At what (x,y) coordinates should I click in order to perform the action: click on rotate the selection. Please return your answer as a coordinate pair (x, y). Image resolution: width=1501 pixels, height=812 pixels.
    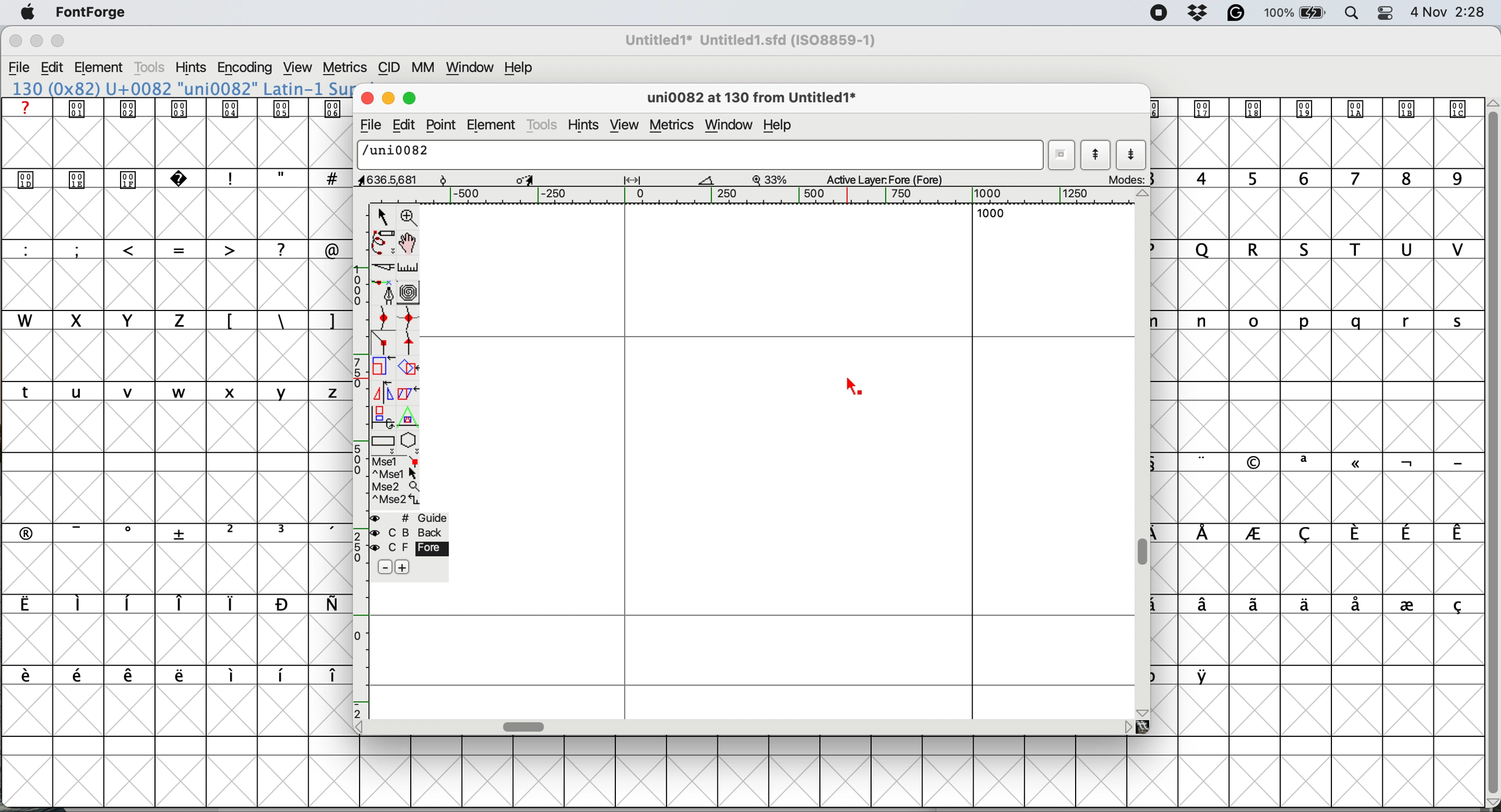
    Looking at the image, I should click on (409, 369).